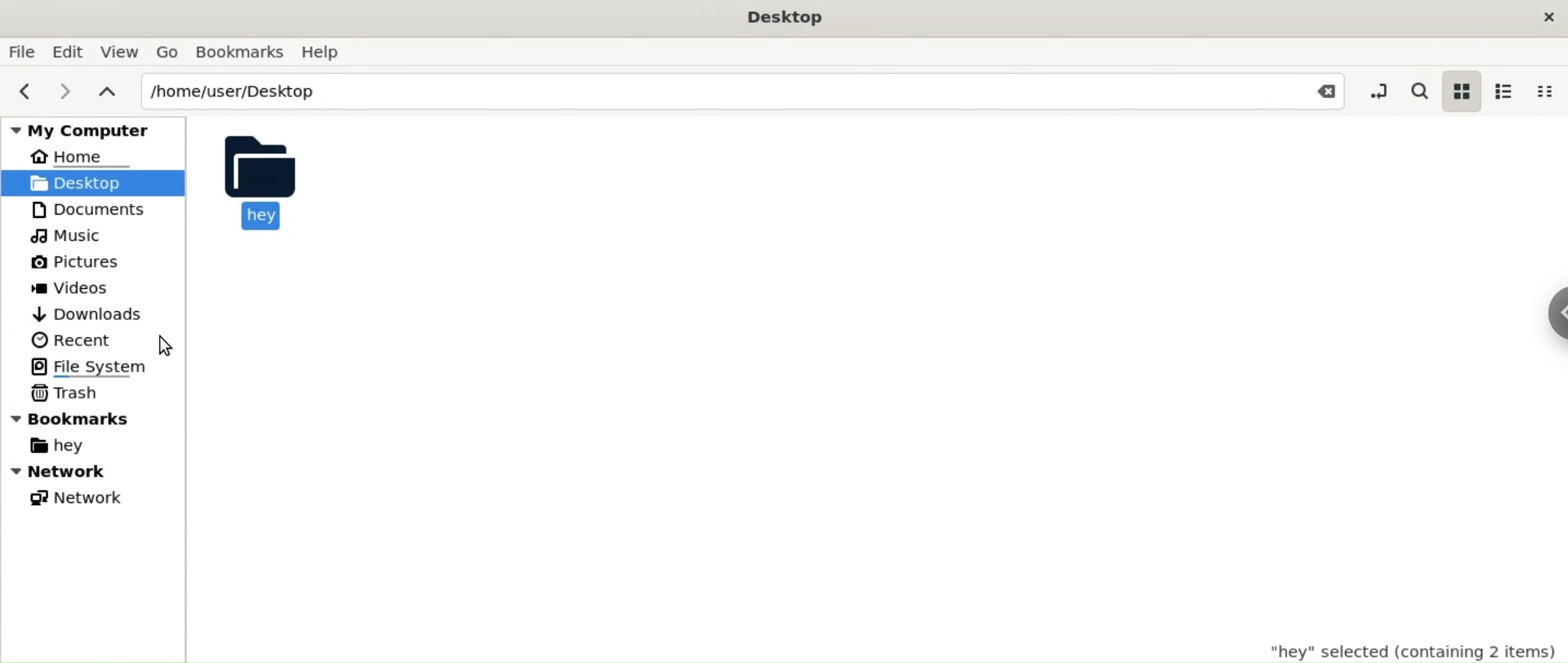 The height and width of the screenshot is (663, 1568). I want to click on File, so click(21, 52).